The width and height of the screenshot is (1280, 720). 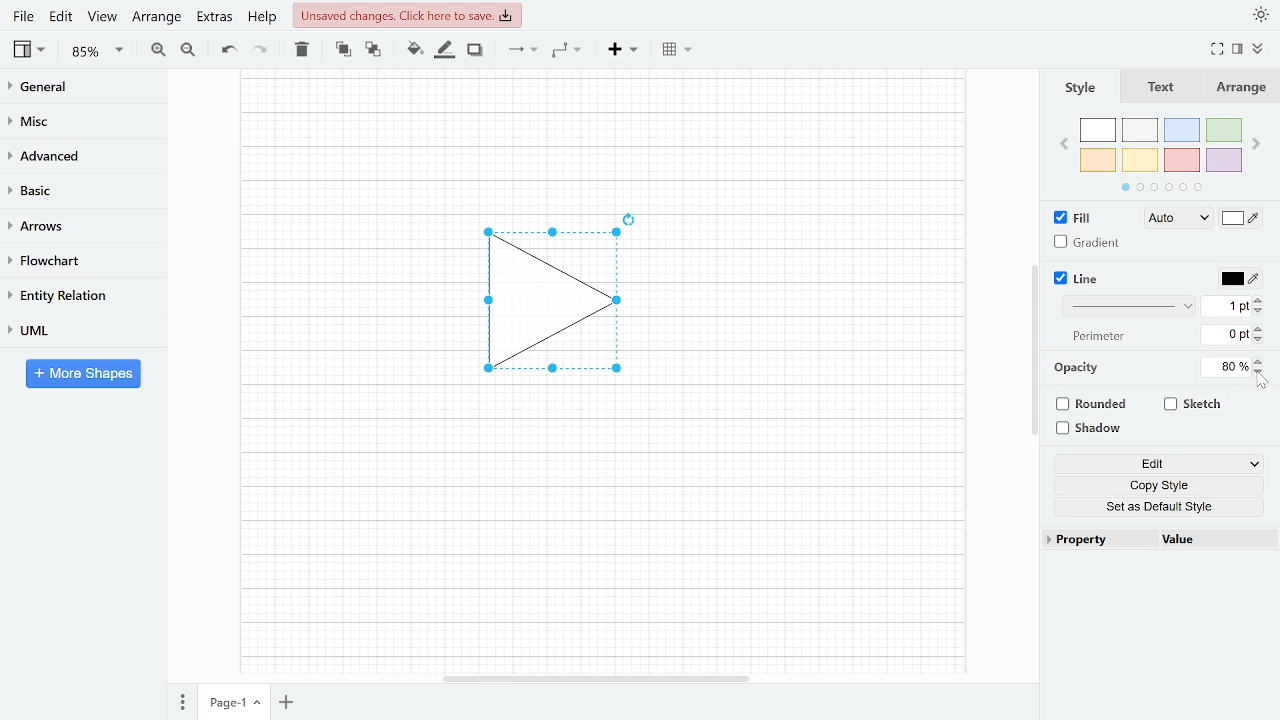 I want to click on Rounded, so click(x=1094, y=406).